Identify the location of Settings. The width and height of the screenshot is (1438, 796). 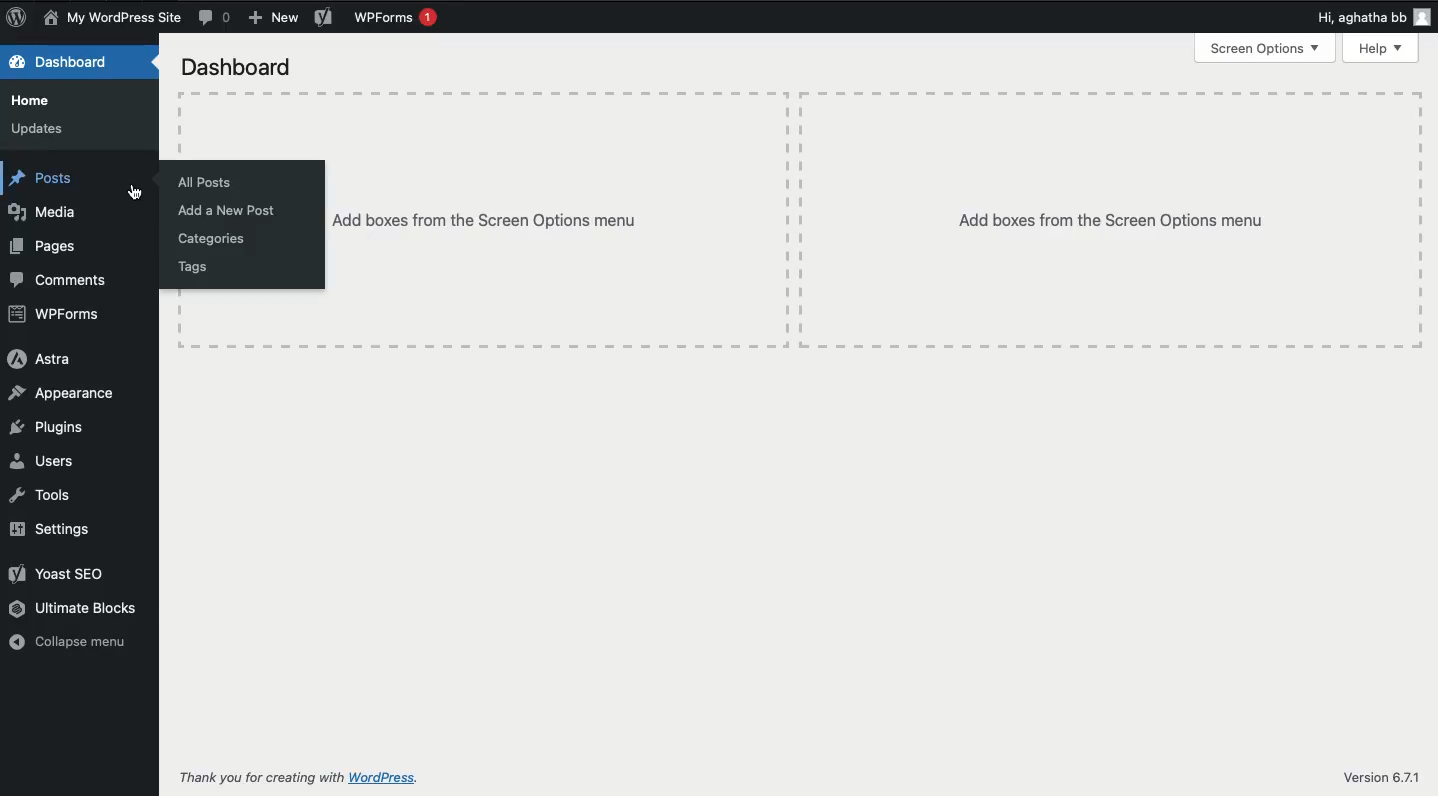
(54, 529).